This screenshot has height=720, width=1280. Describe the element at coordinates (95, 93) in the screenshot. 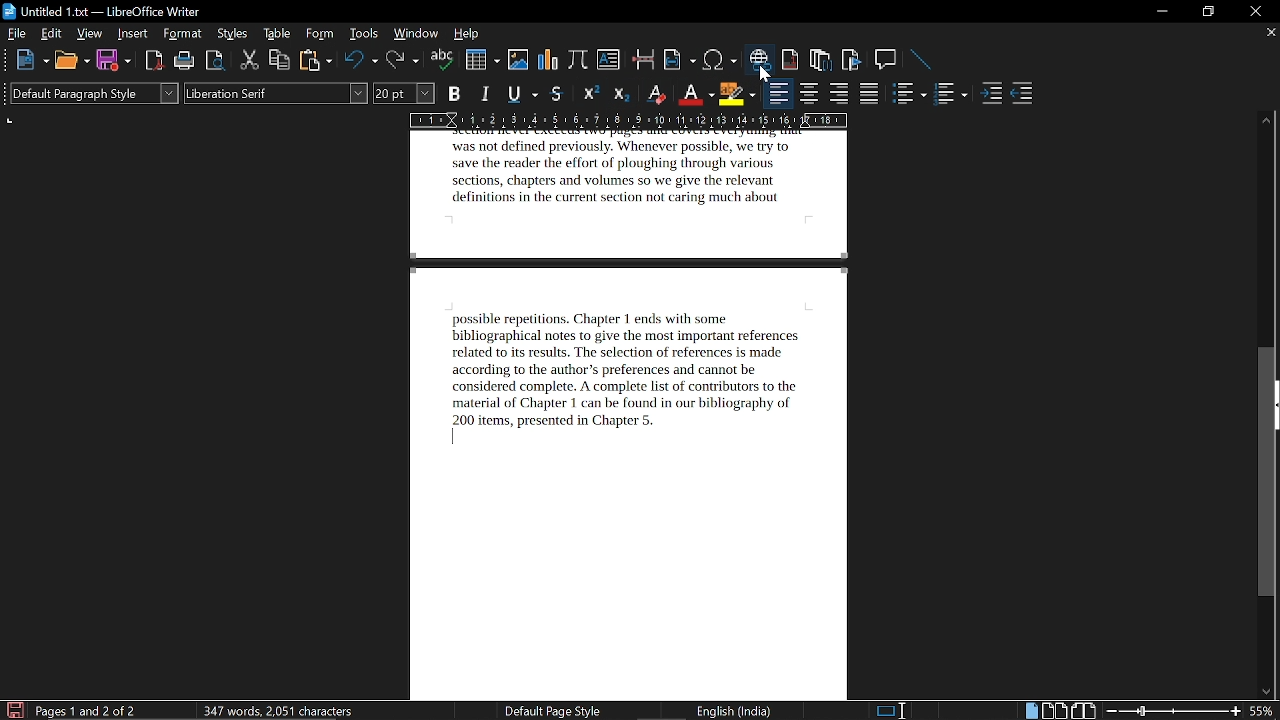

I see `paragraph style` at that location.